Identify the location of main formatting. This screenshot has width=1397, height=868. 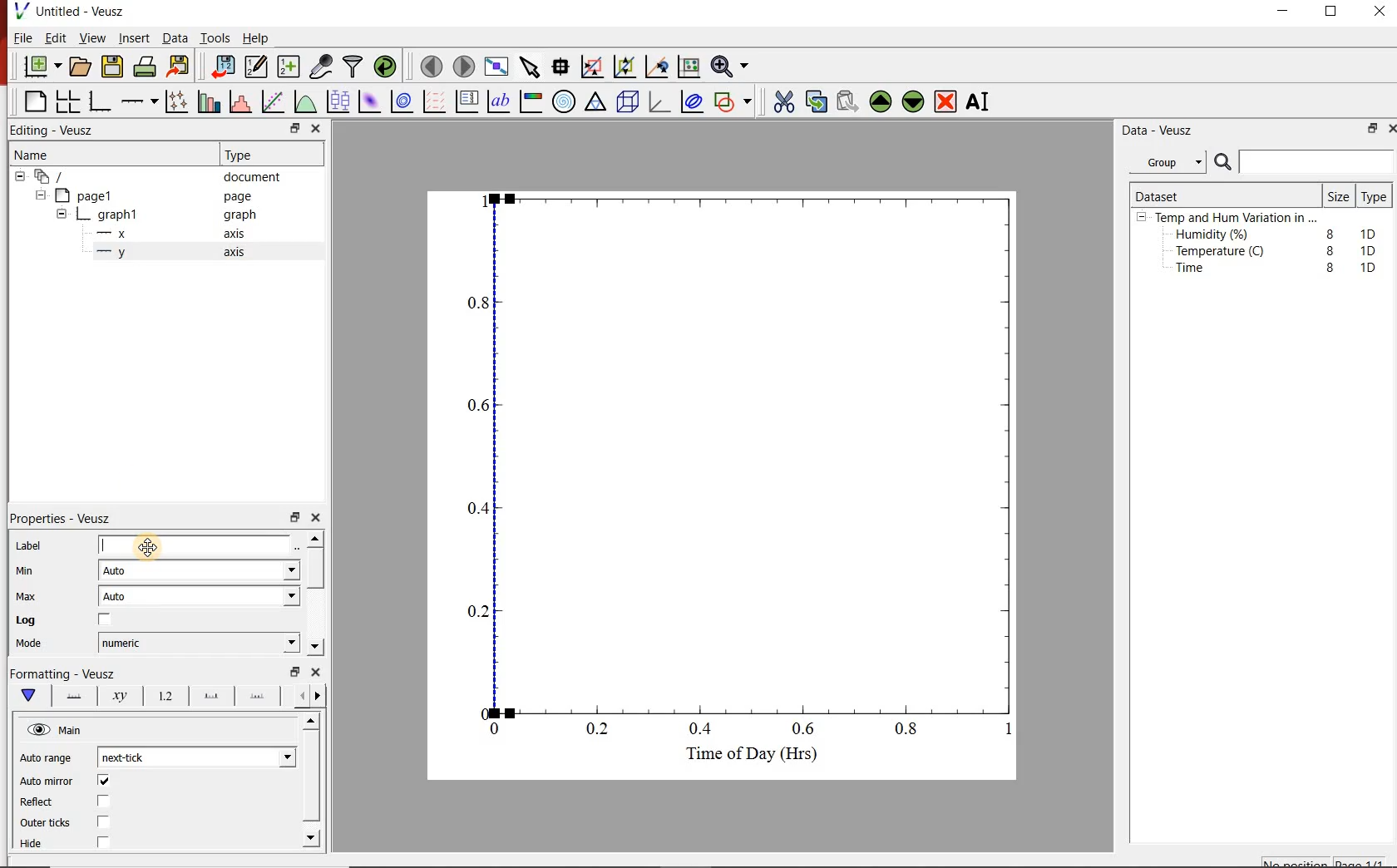
(30, 697).